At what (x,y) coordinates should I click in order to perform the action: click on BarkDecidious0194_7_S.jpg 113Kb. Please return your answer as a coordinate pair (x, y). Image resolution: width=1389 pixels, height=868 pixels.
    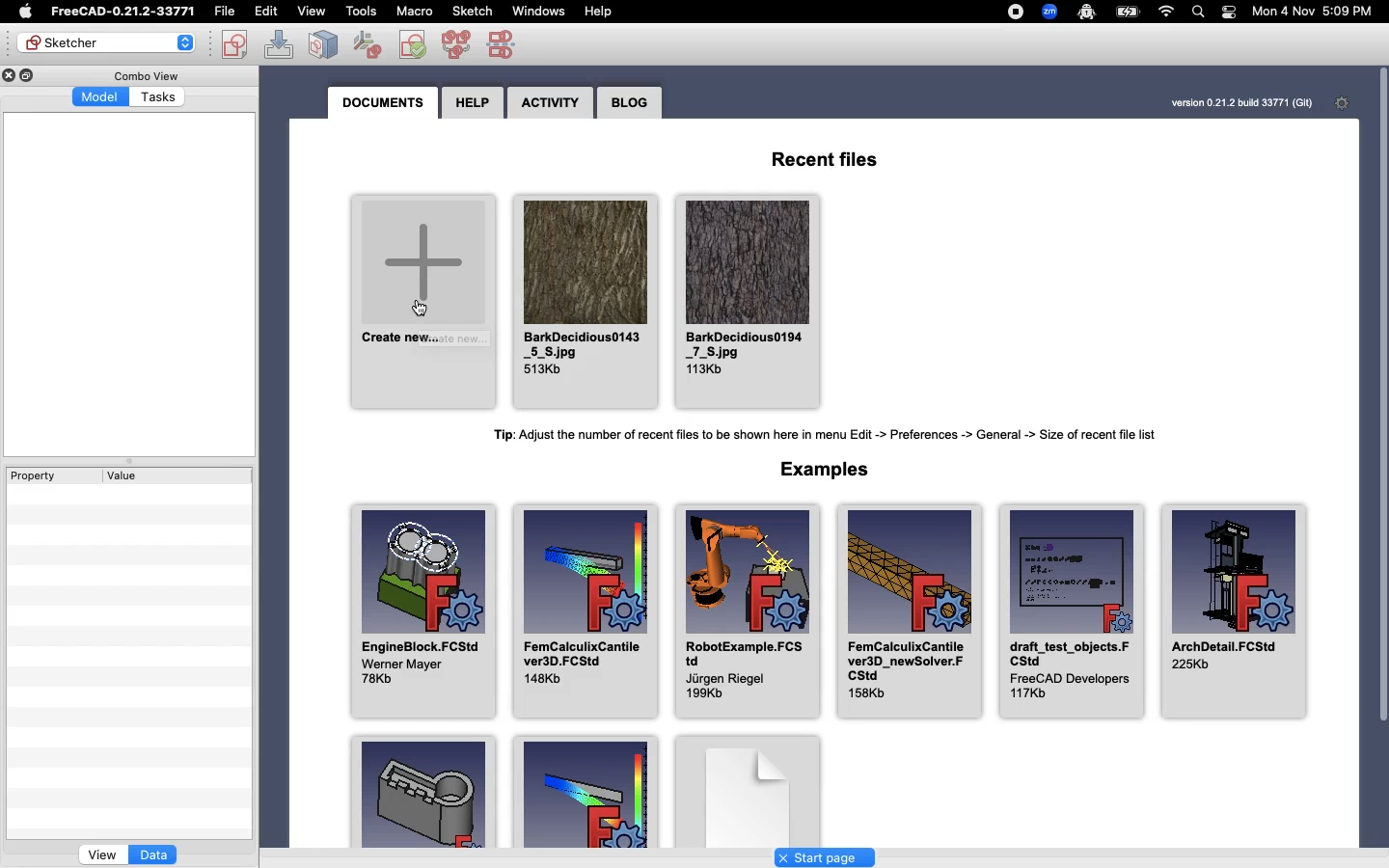
    Looking at the image, I should click on (749, 299).